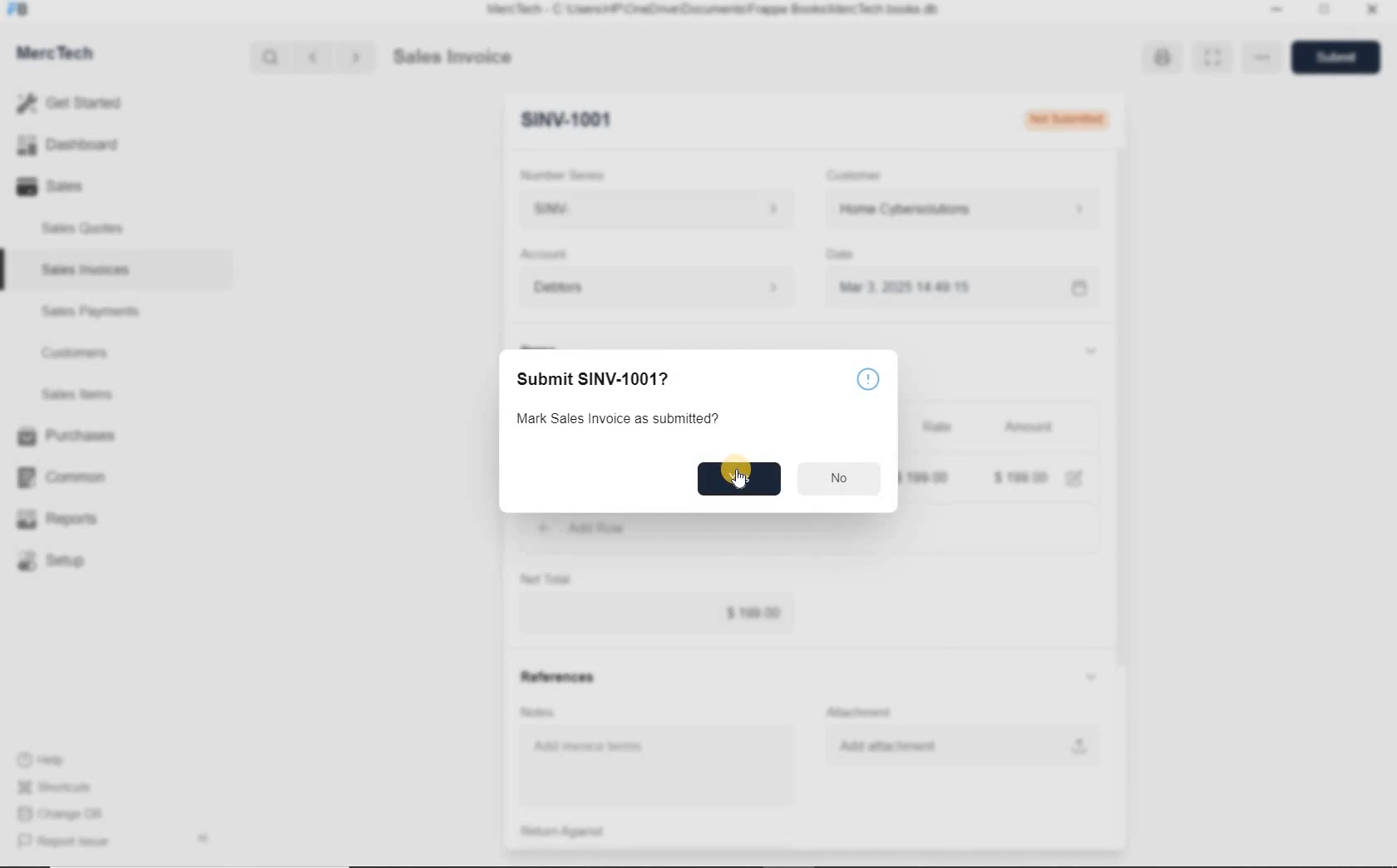 The height and width of the screenshot is (868, 1397). I want to click on Change DB, so click(62, 814).